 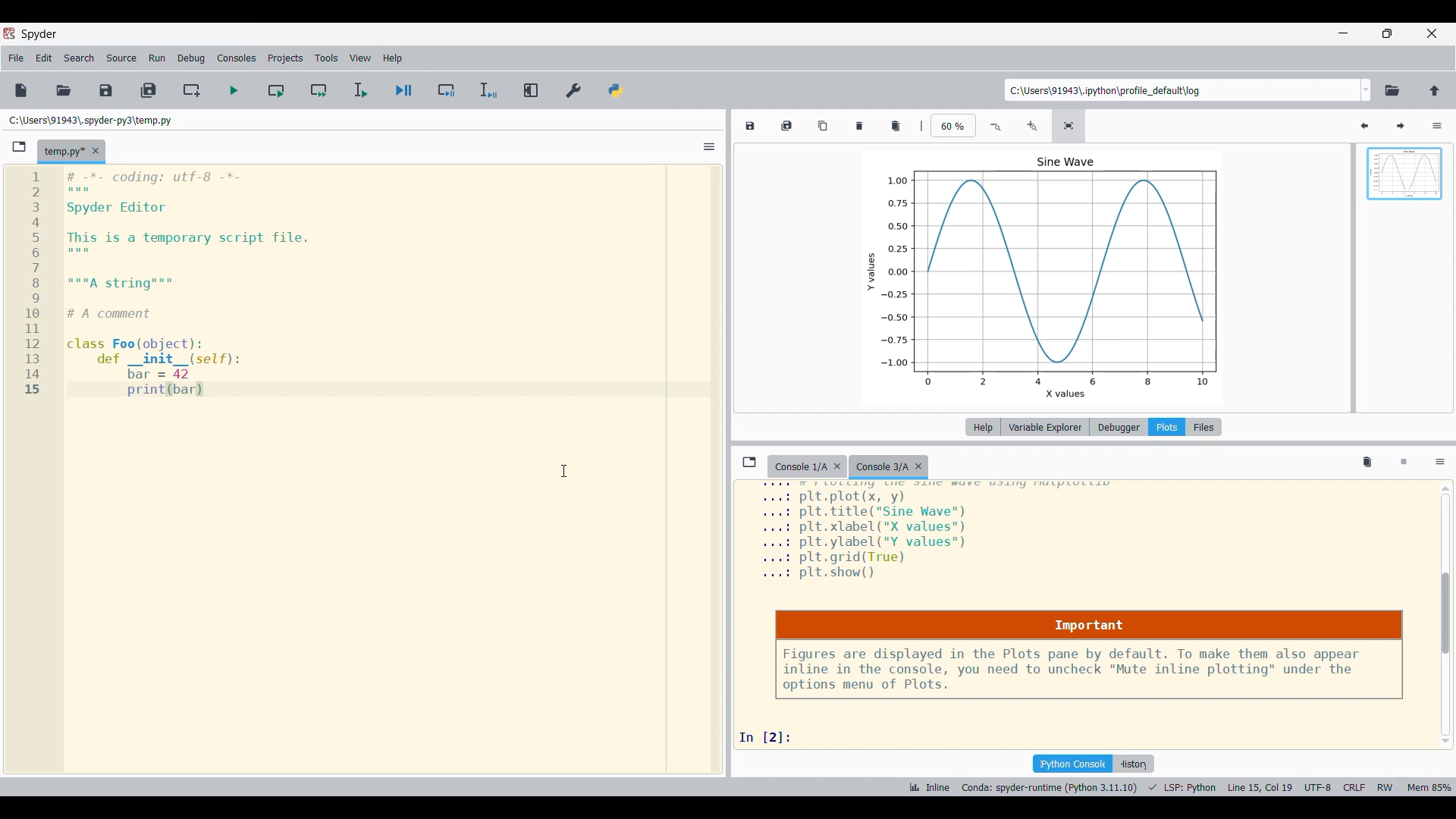 I want to click on vertical scroll bar, so click(x=1447, y=617).